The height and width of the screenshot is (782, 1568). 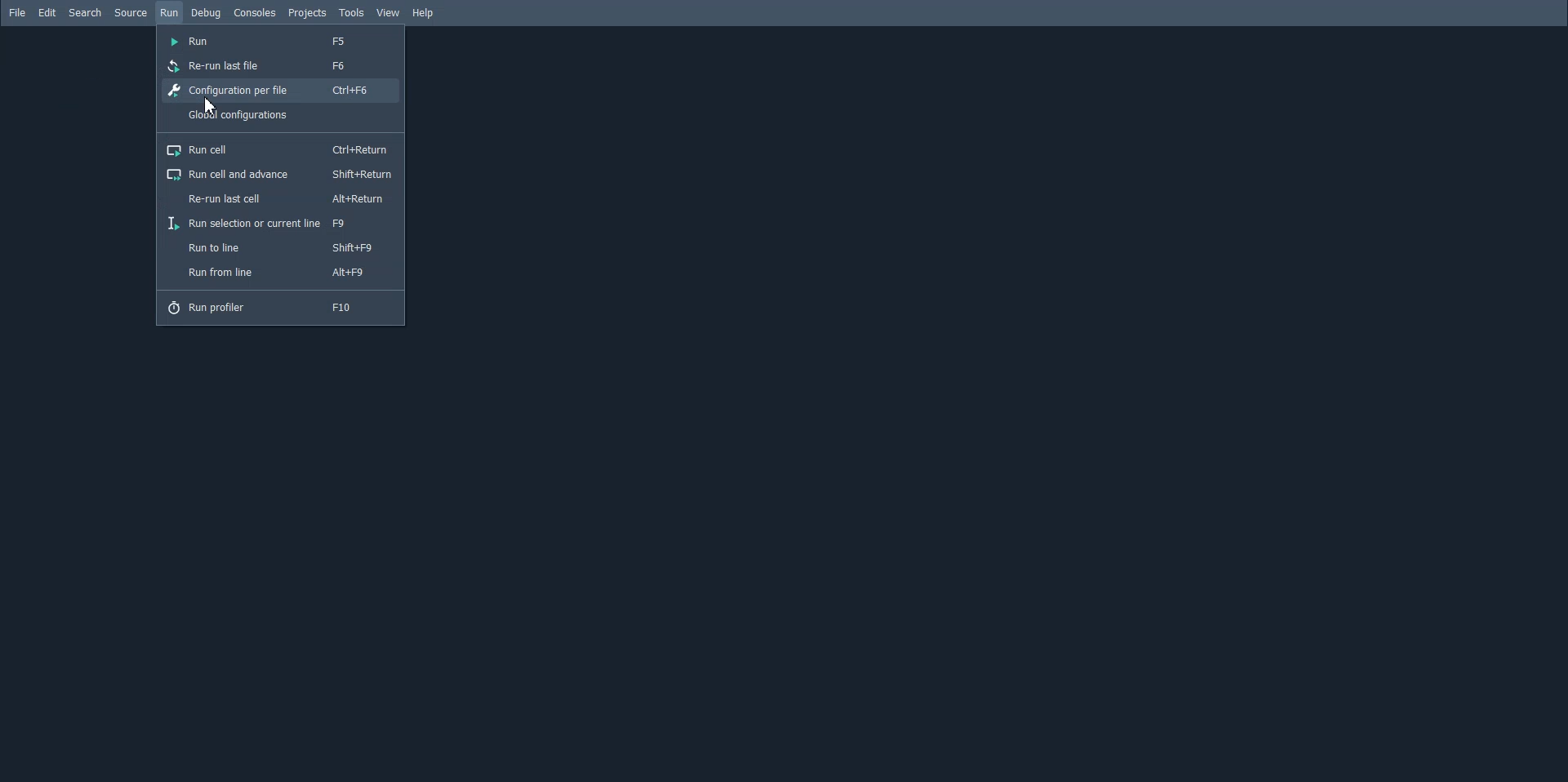 What do you see at coordinates (278, 91) in the screenshot?
I see `Configuration per file` at bounding box center [278, 91].